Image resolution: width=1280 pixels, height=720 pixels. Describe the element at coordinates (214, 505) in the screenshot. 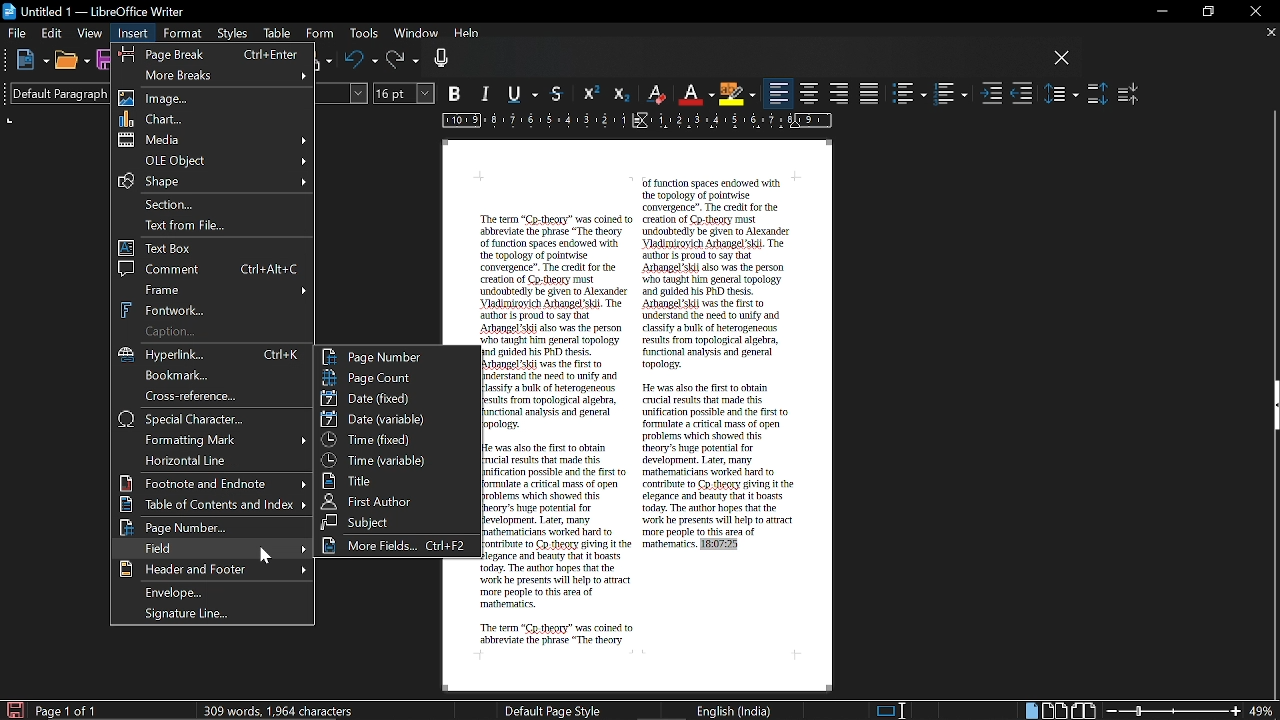

I see `Table of contents and index` at that location.